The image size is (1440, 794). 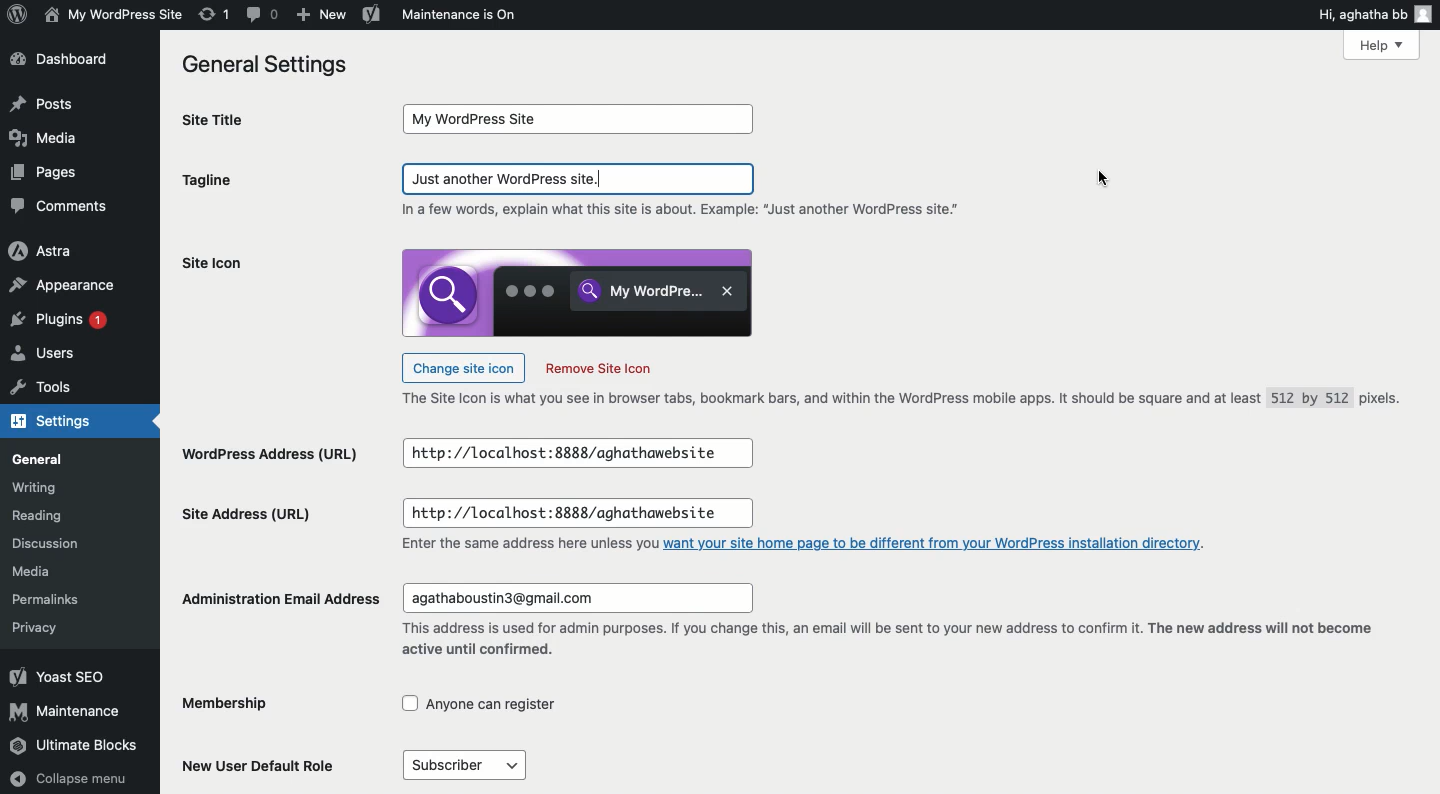 What do you see at coordinates (372, 13) in the screenshot?
I see `Yoast` at bounding box center [372, 13].